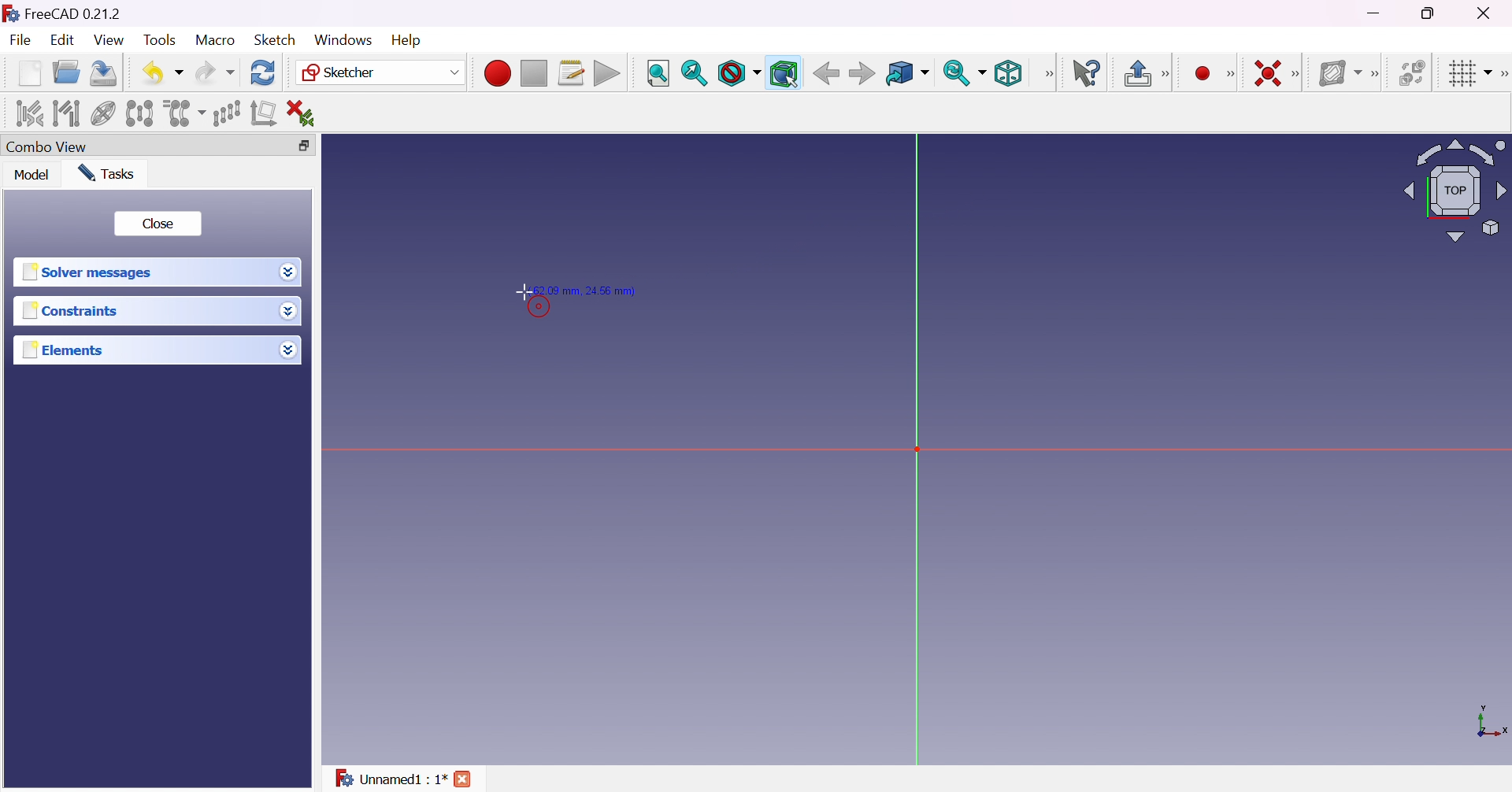  What do you see at coordinates (390, 775) in the screenshot?
I see `Unnamed : 1*` at bounding box center [390, 775].